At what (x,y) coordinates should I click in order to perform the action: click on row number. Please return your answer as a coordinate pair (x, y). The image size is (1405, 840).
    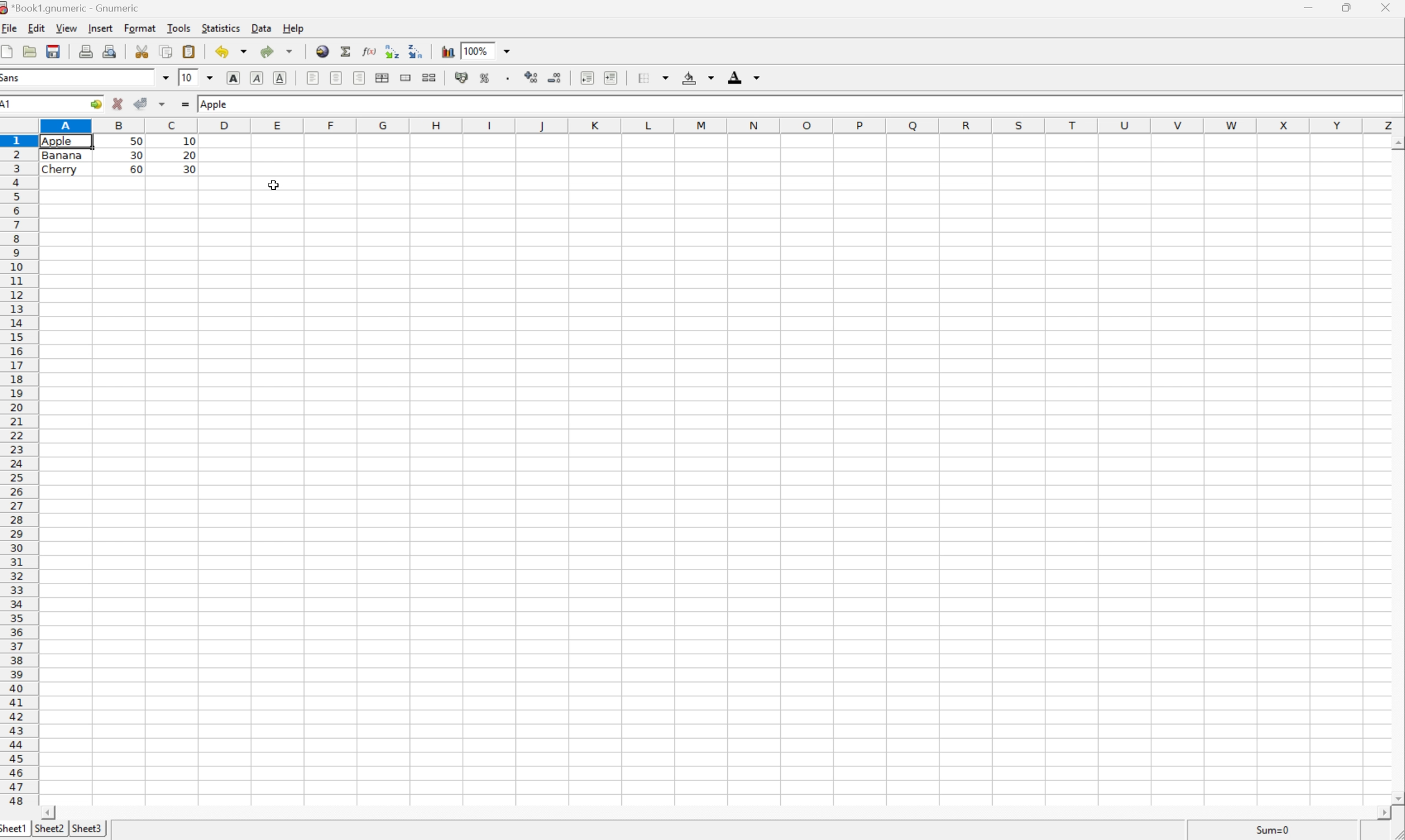
    Looking at the image, I should click on (19, 470).